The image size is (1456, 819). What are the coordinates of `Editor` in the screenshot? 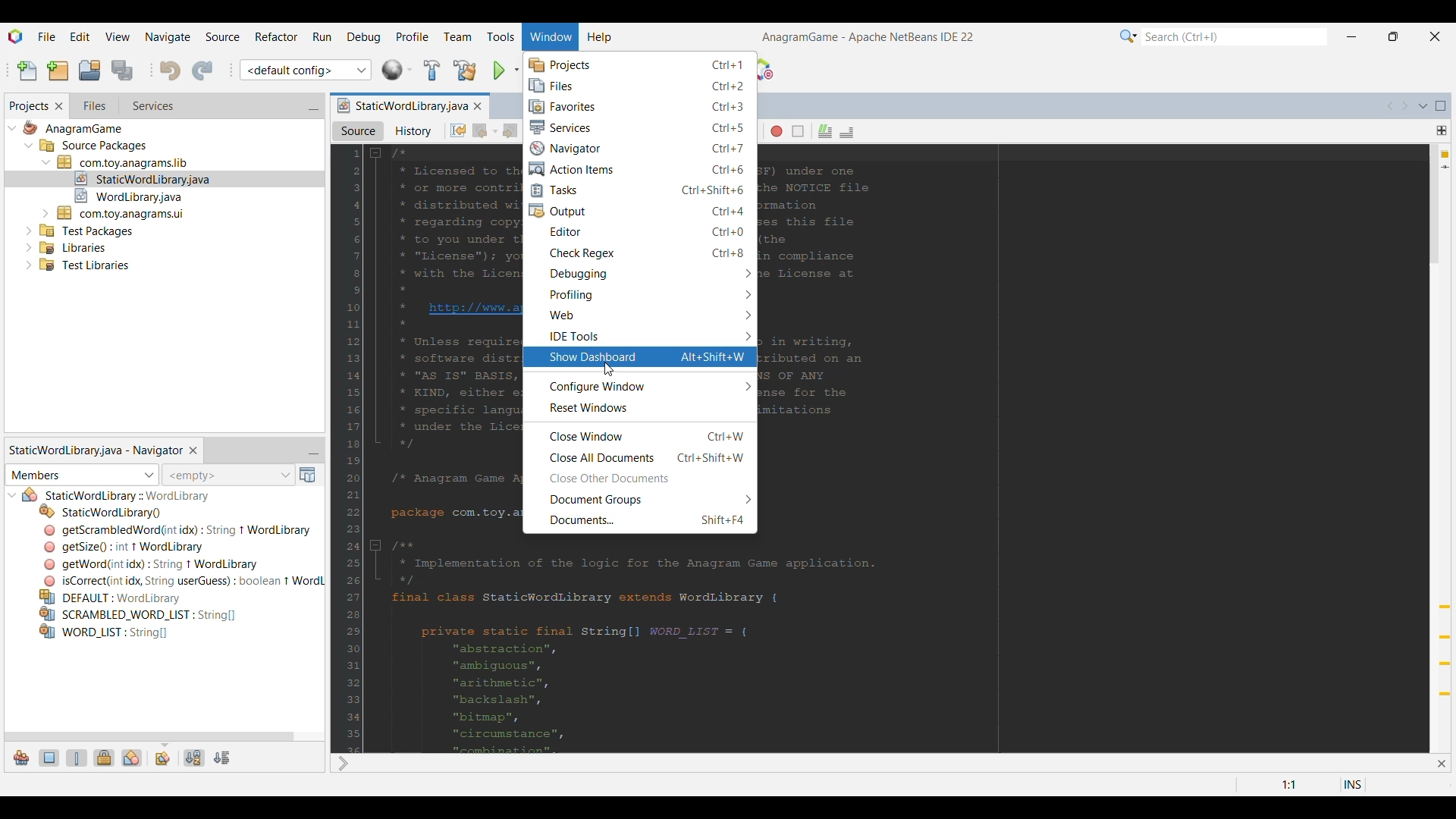 It's located at (639, 231).